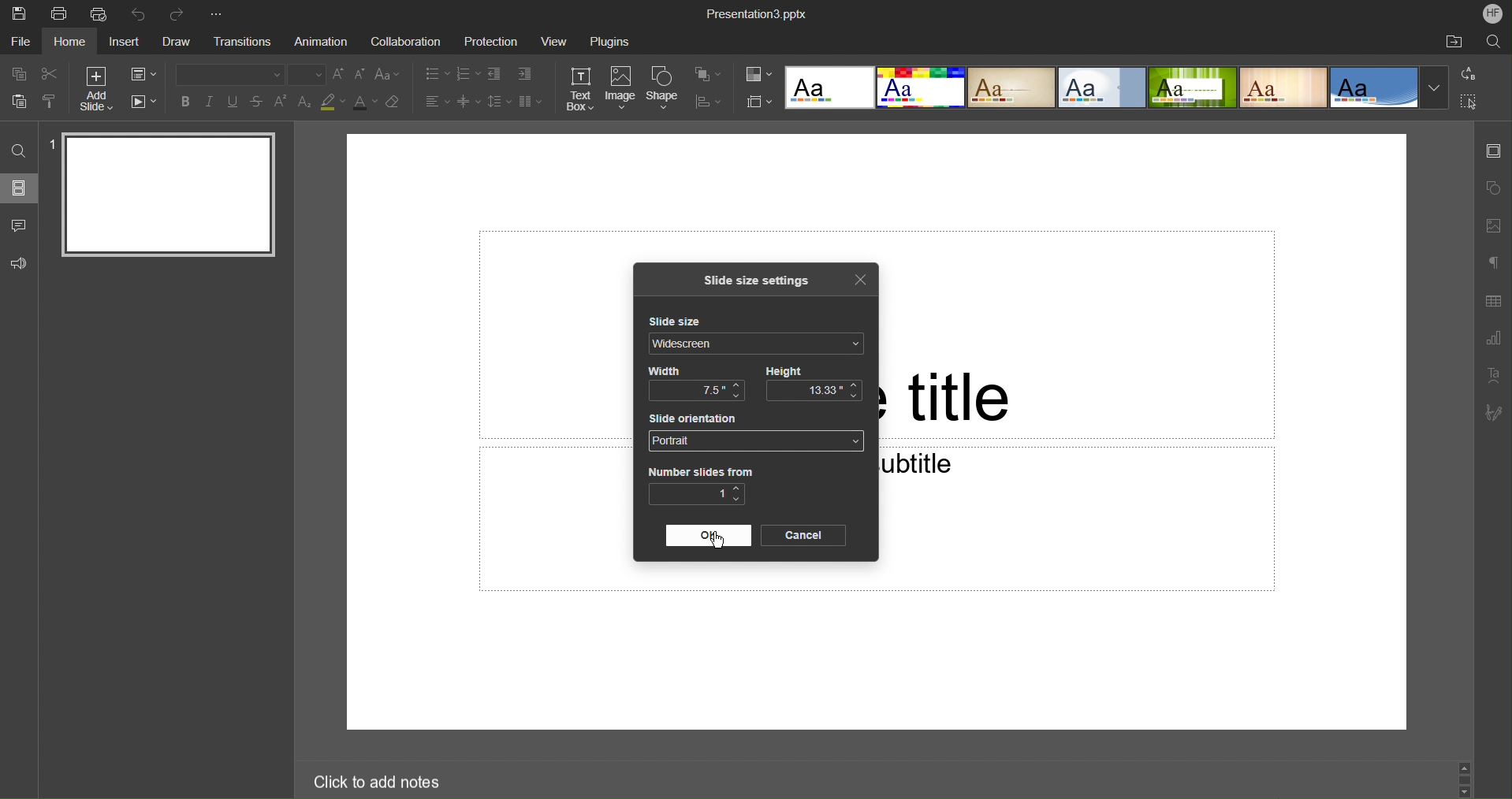 The image size is (1512, 799). I want to click on Select Slide Size, so click(759, 102).